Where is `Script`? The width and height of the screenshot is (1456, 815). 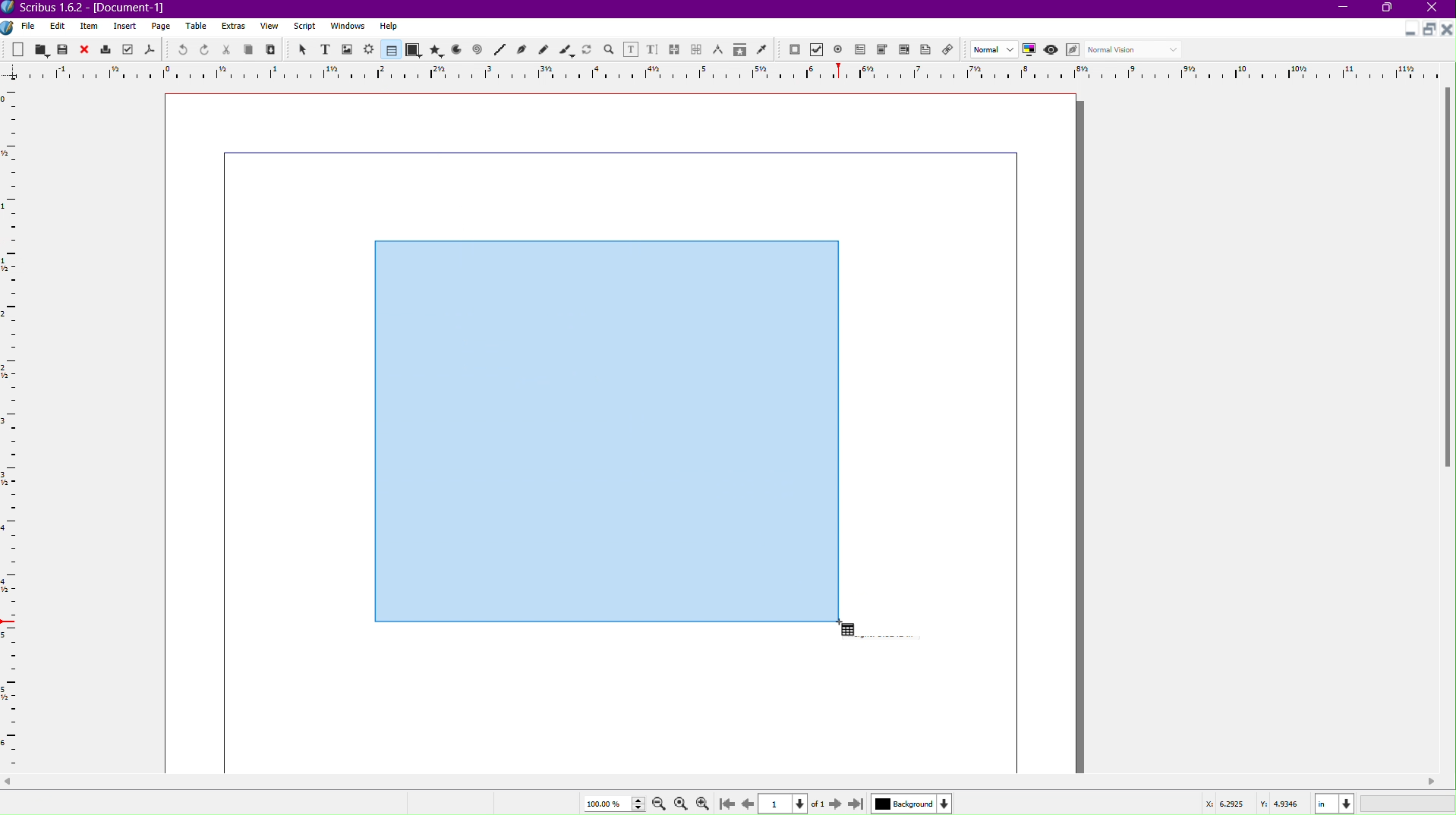 Script is located at coordinates (304, 27).